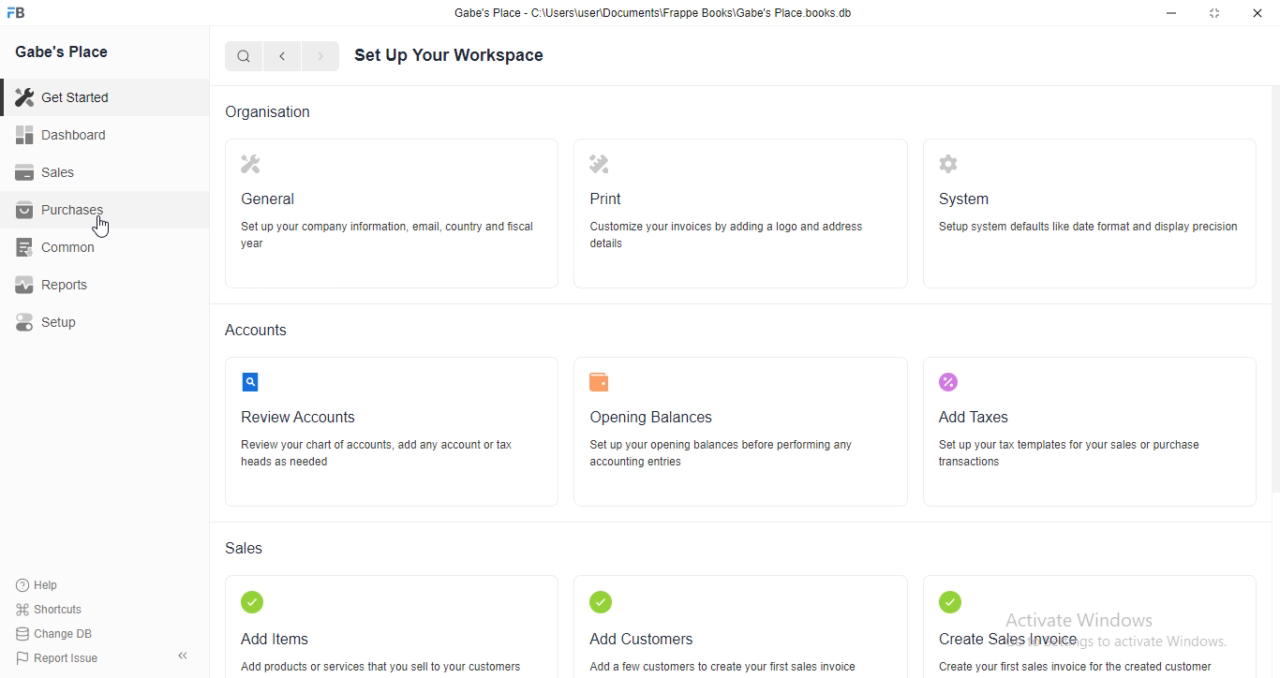  I want to click on Add Items, so click(275, 637).